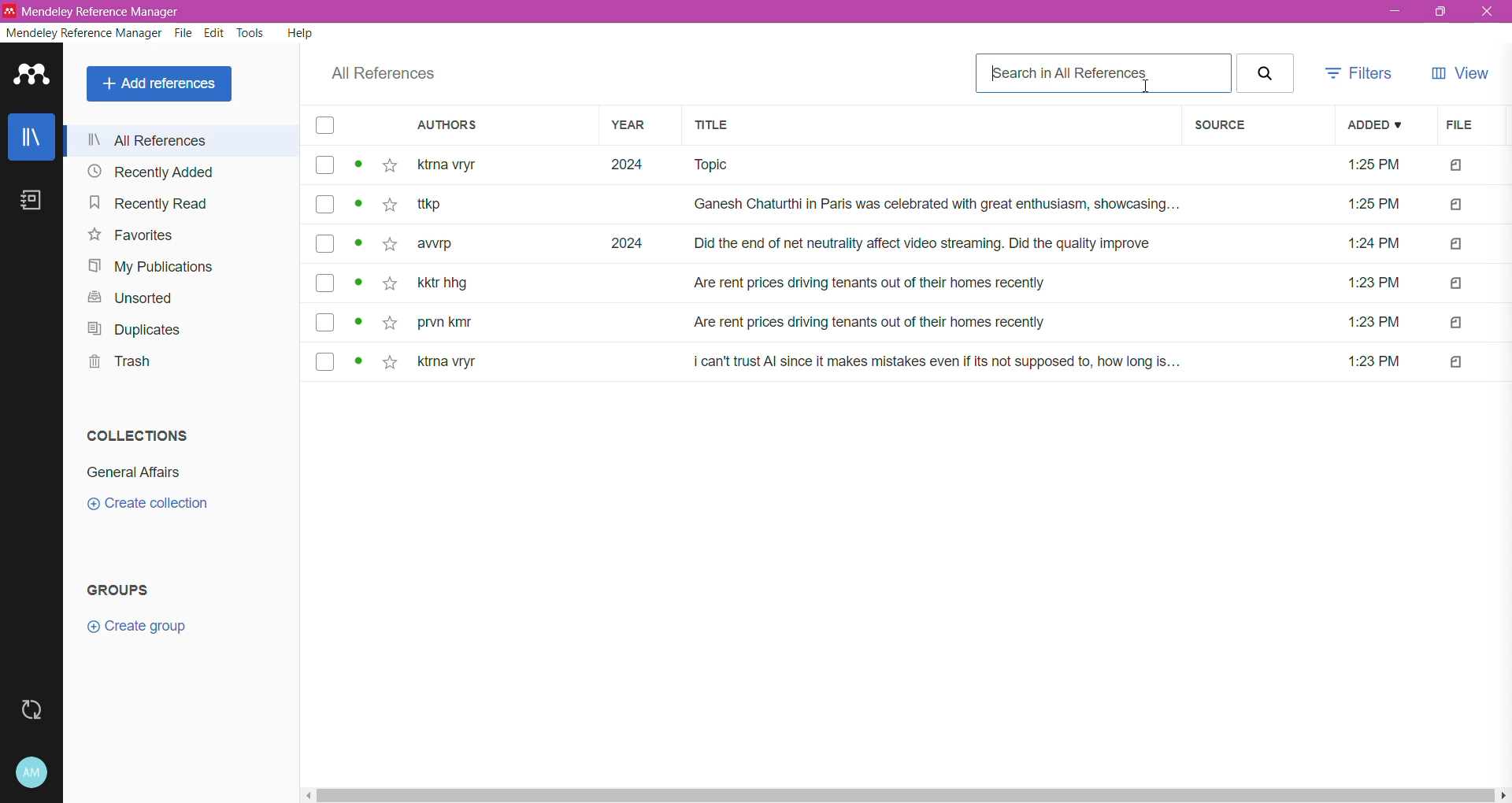  I want to click on view status of the file, so click(359, 363).